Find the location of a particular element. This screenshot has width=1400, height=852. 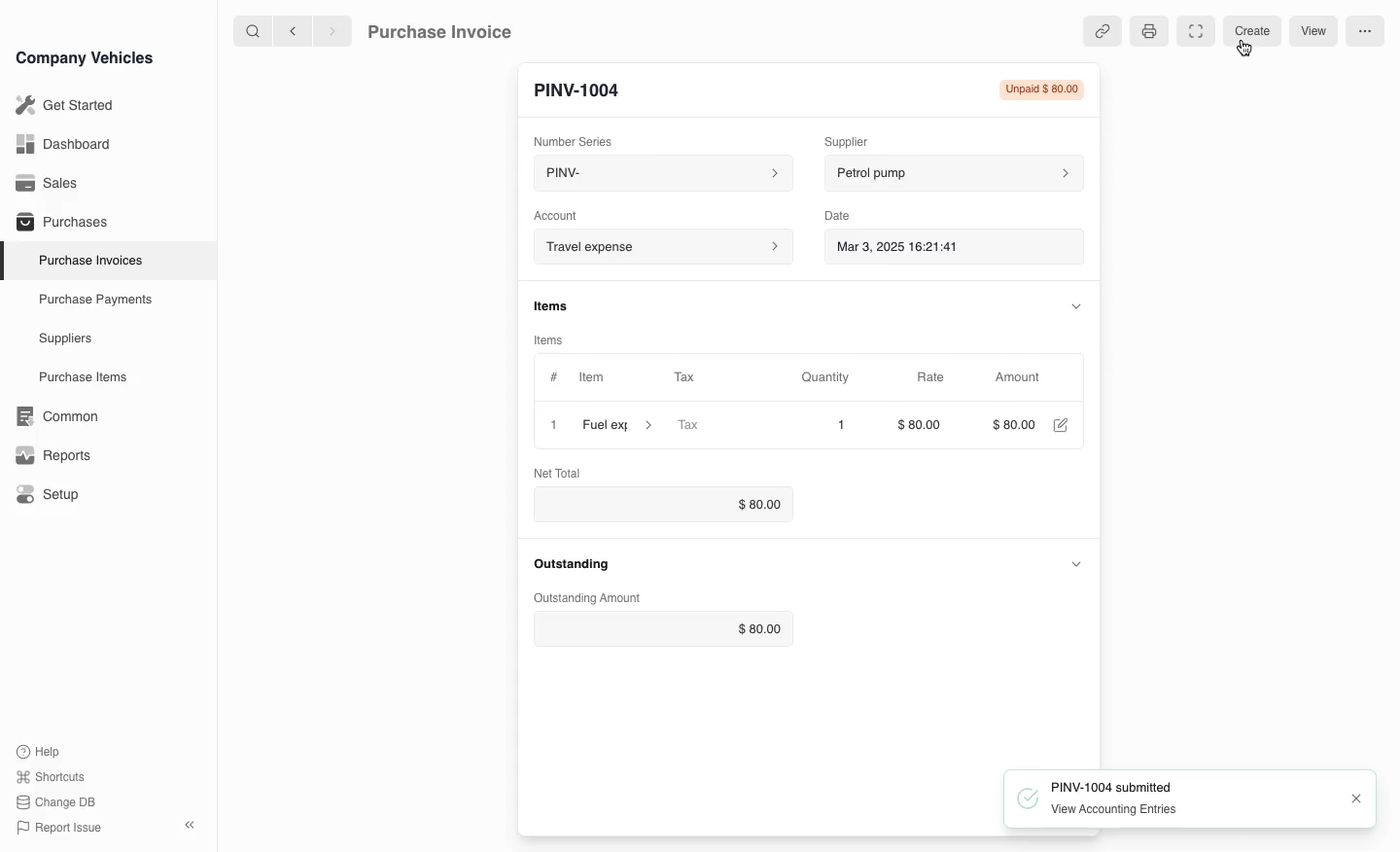

$80.00 is located at coordinates (925, 425).